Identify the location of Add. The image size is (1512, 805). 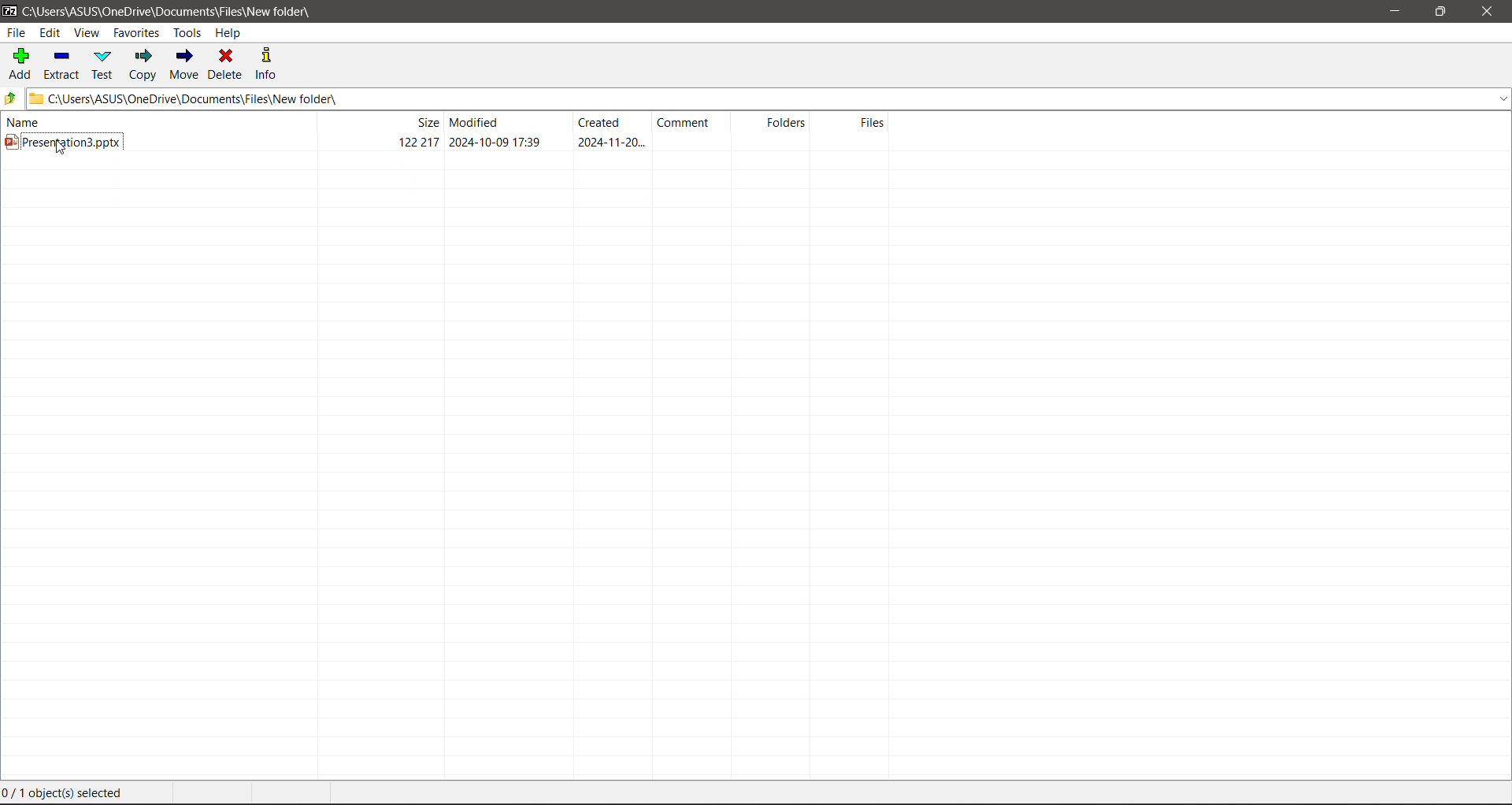
(21, 63).